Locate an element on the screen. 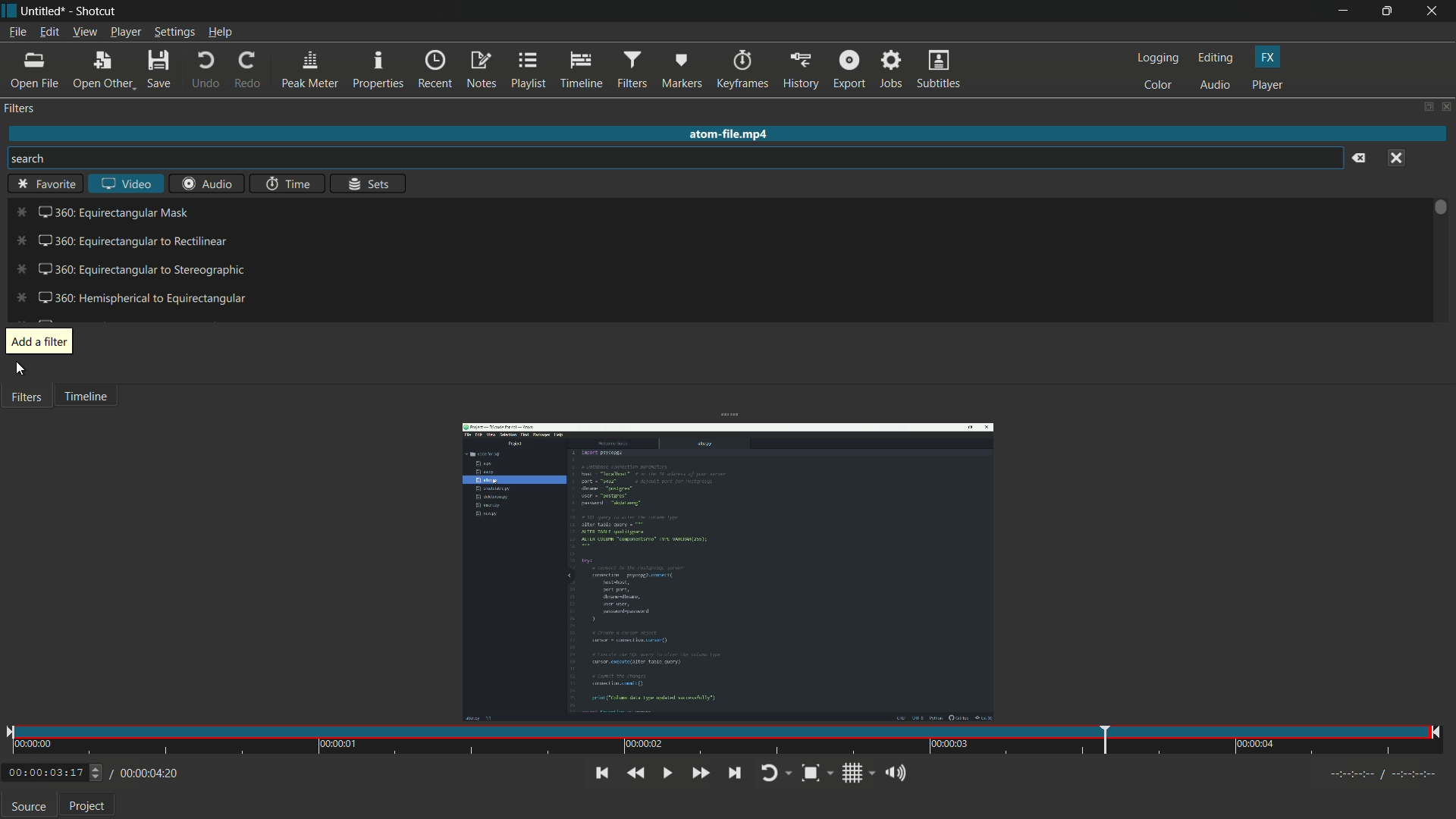 Image resolution: width=1456 pixels, height=819 pixels. fx is located at coordinates (1269, 56).